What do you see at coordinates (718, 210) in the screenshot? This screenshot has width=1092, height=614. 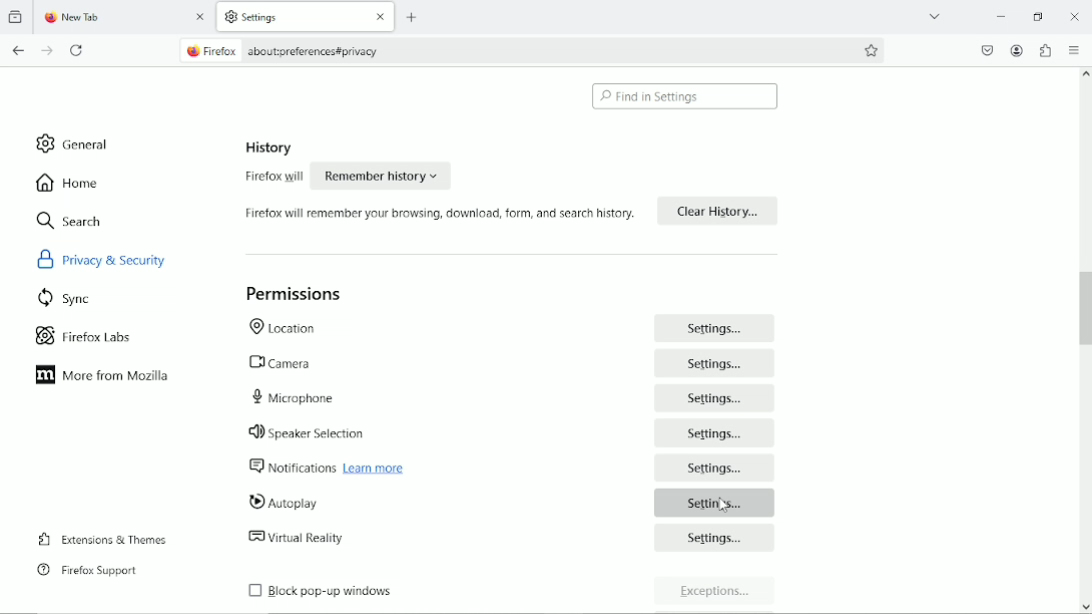 I see `Clear History...` at bounding box center [718, 210].